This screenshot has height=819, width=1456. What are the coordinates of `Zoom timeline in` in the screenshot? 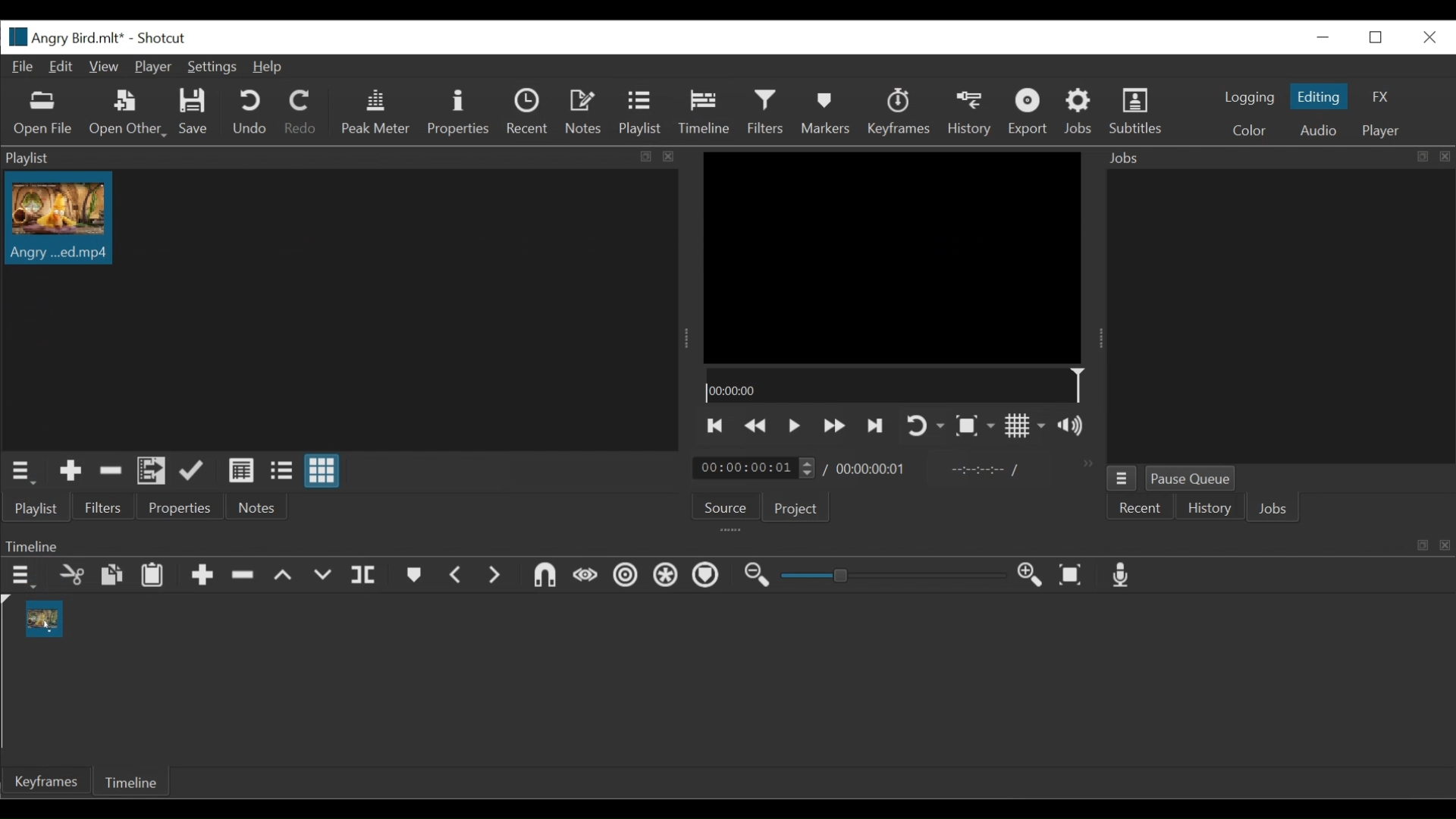 It's located at (1032, 577).